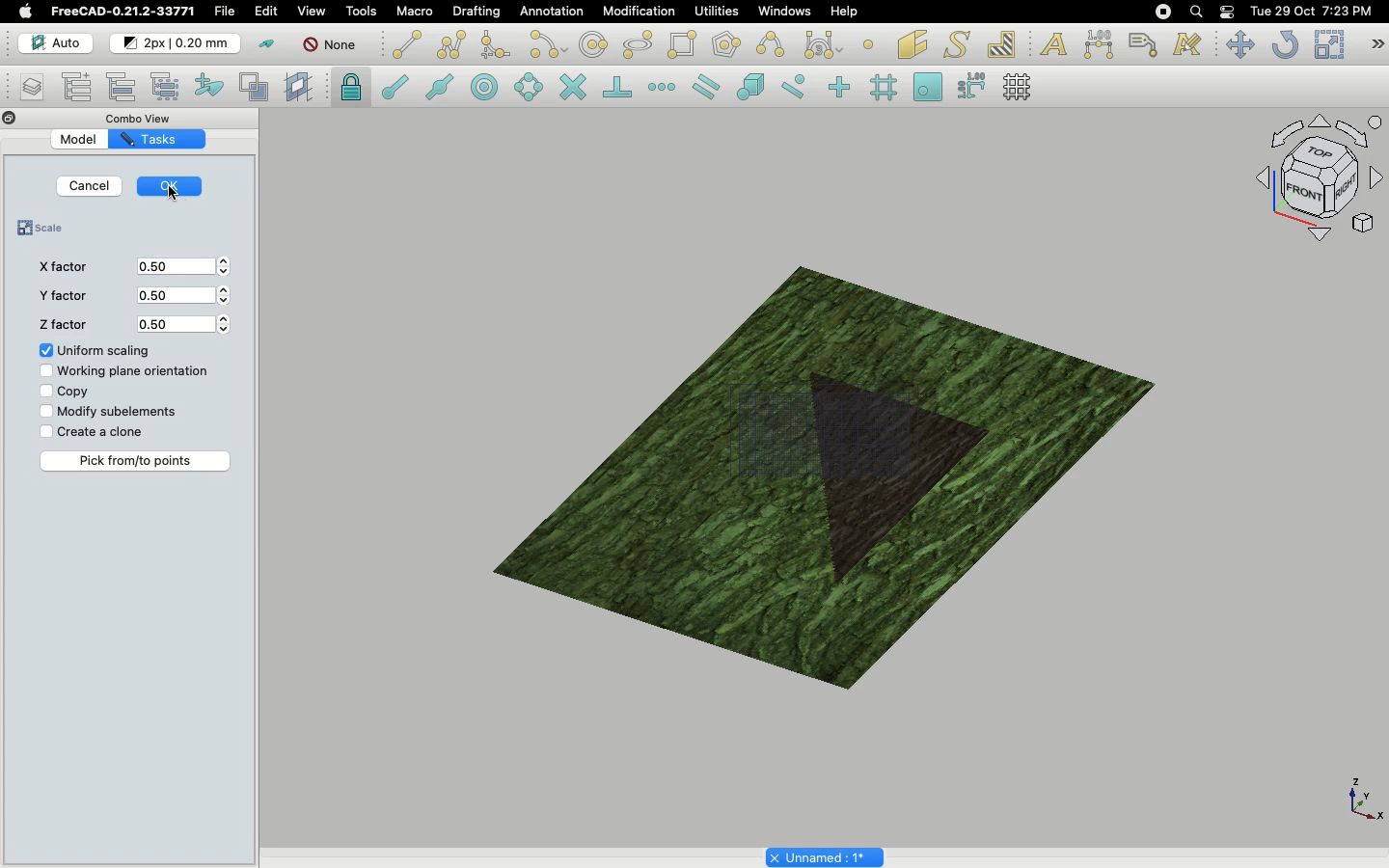  What do you see at coordinates (662, 88) in the screenshot?
I see `Snap extension` at bounding box center [662, 88].